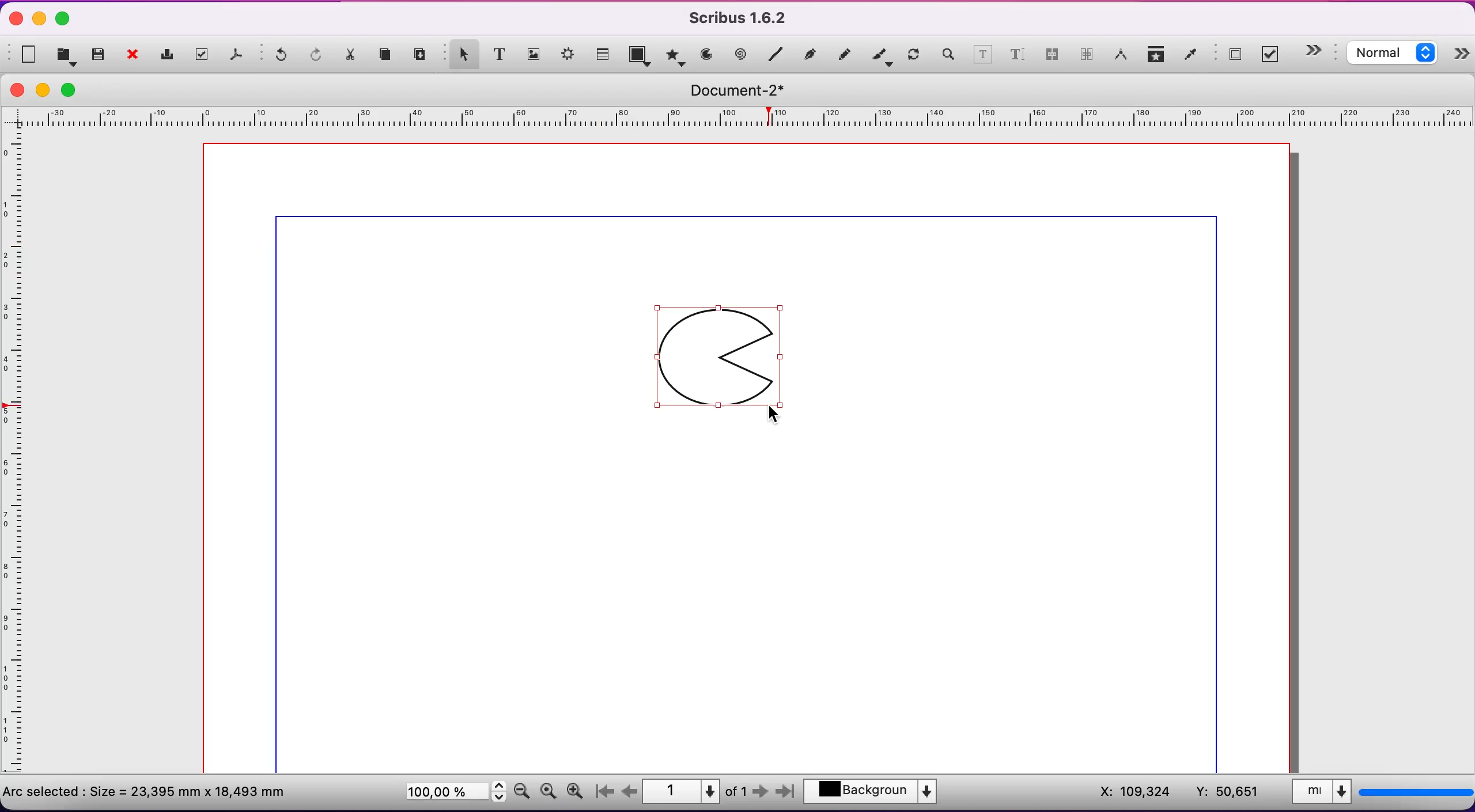  What do you see at coordinates (422, 55) in the screenshot?
I see `paste` at bounding box center [422, 55].